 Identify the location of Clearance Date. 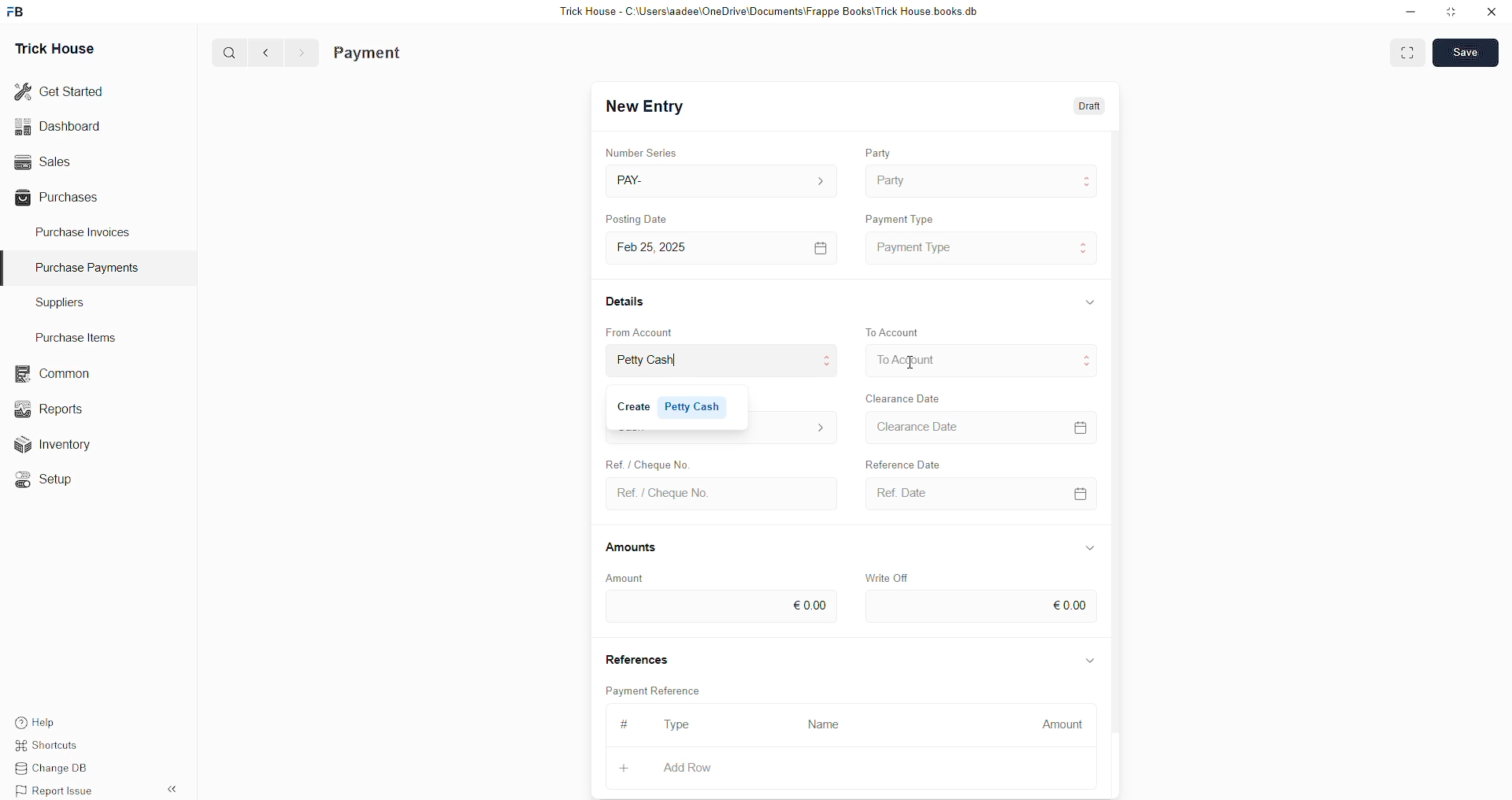
(906, 397).